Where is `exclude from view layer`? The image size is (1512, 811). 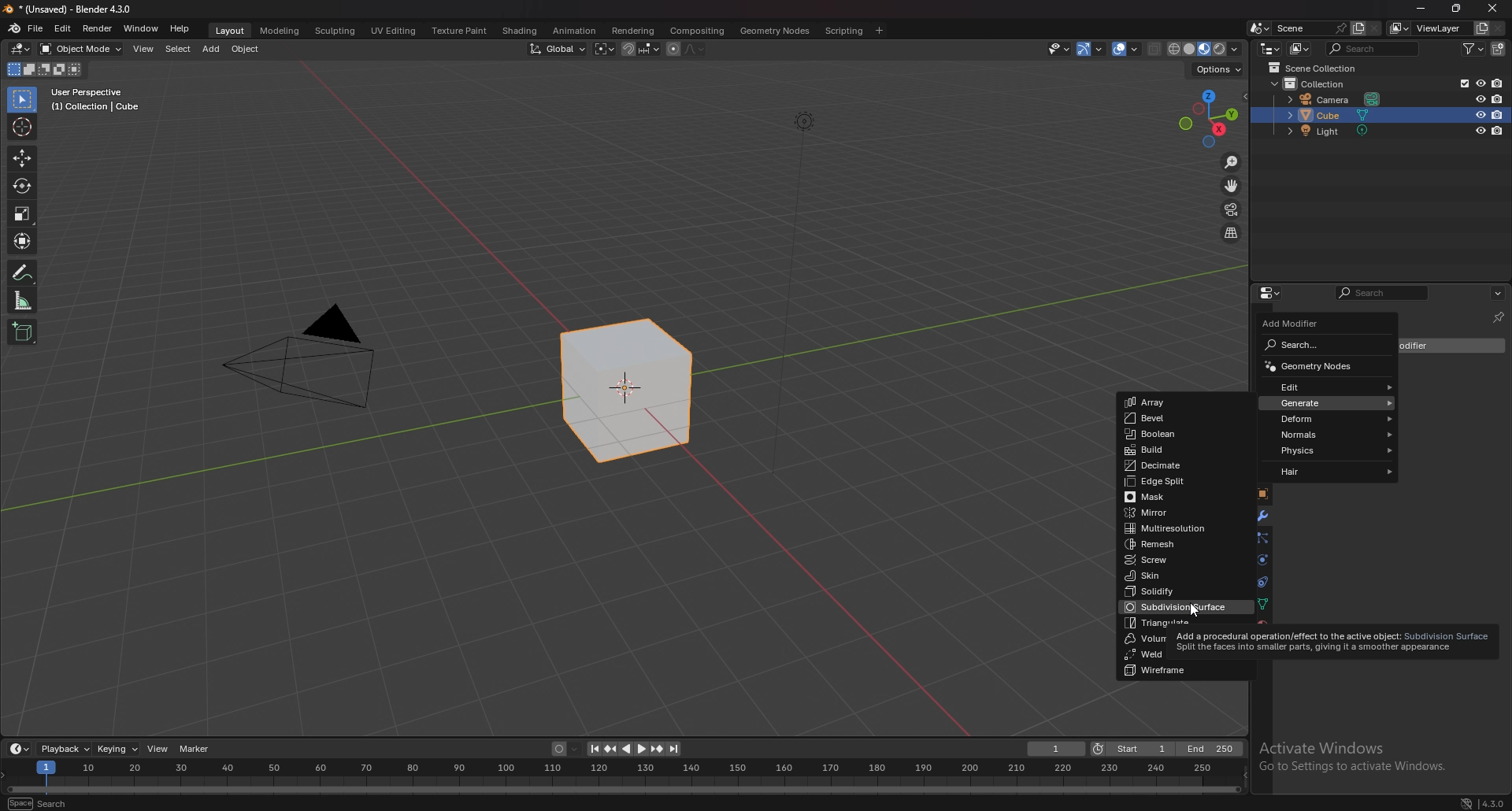 exclude from view layer is located at coordinates (1462, 83).